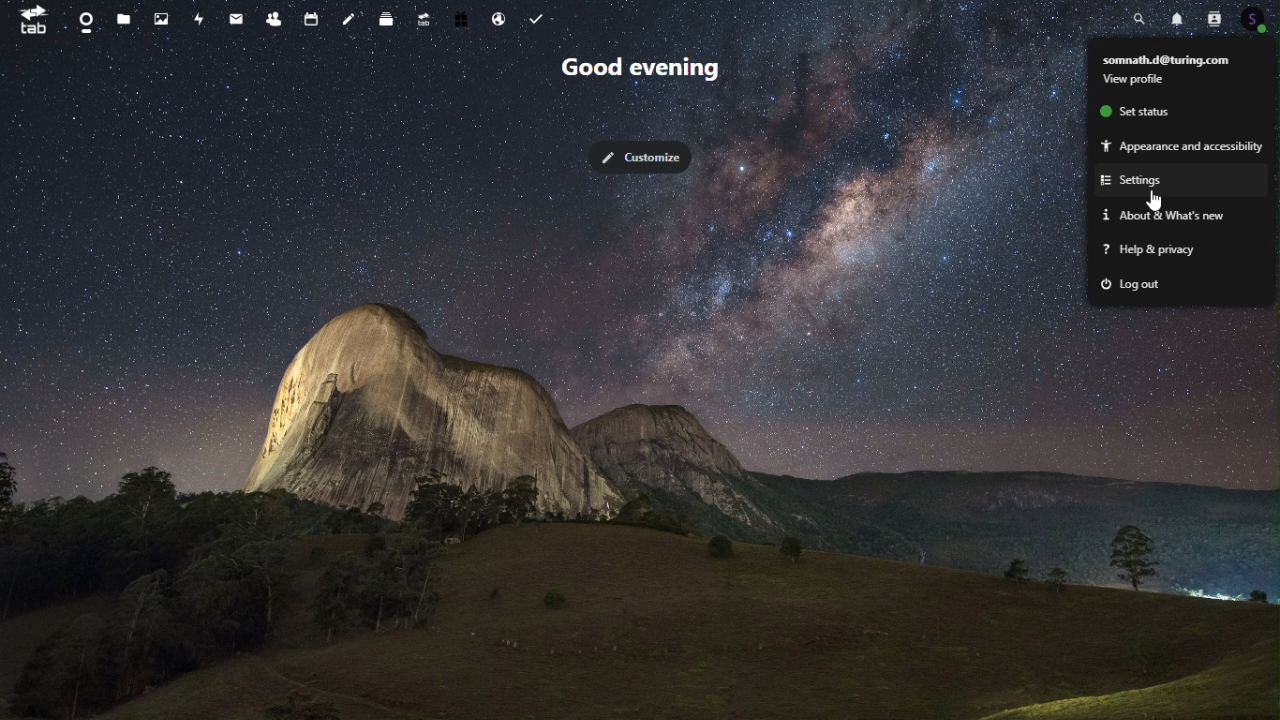 Image resolution: width=1280 pixels, height=720 pixels. What do you see at coordinates (196, 16) in the screenshot?
I see `activity` at bounding box center [196, 16].